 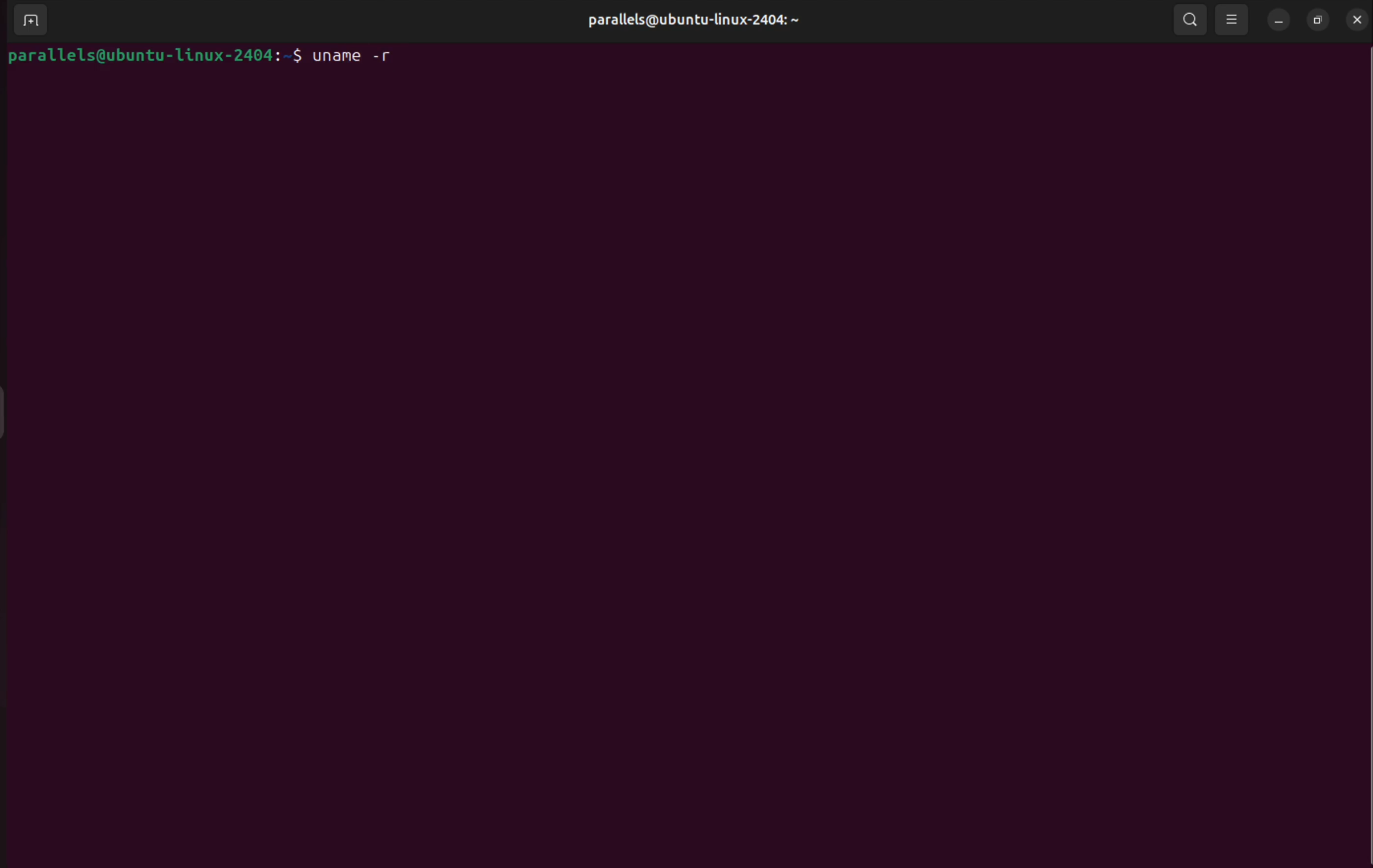 I want to click on add terminal, so click(x=29, y=22).